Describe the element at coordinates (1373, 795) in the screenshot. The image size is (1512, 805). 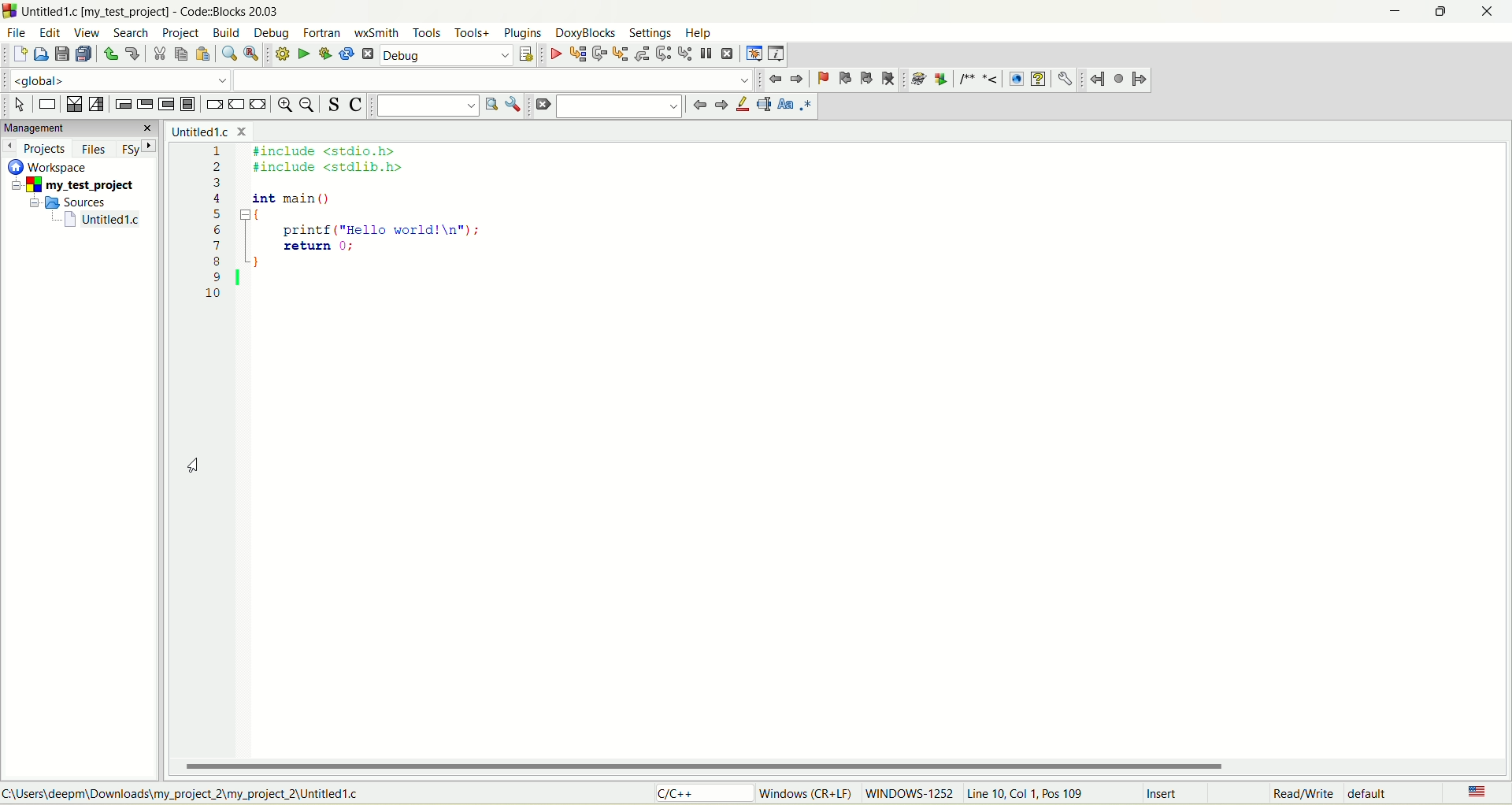
I see `default` at that location.